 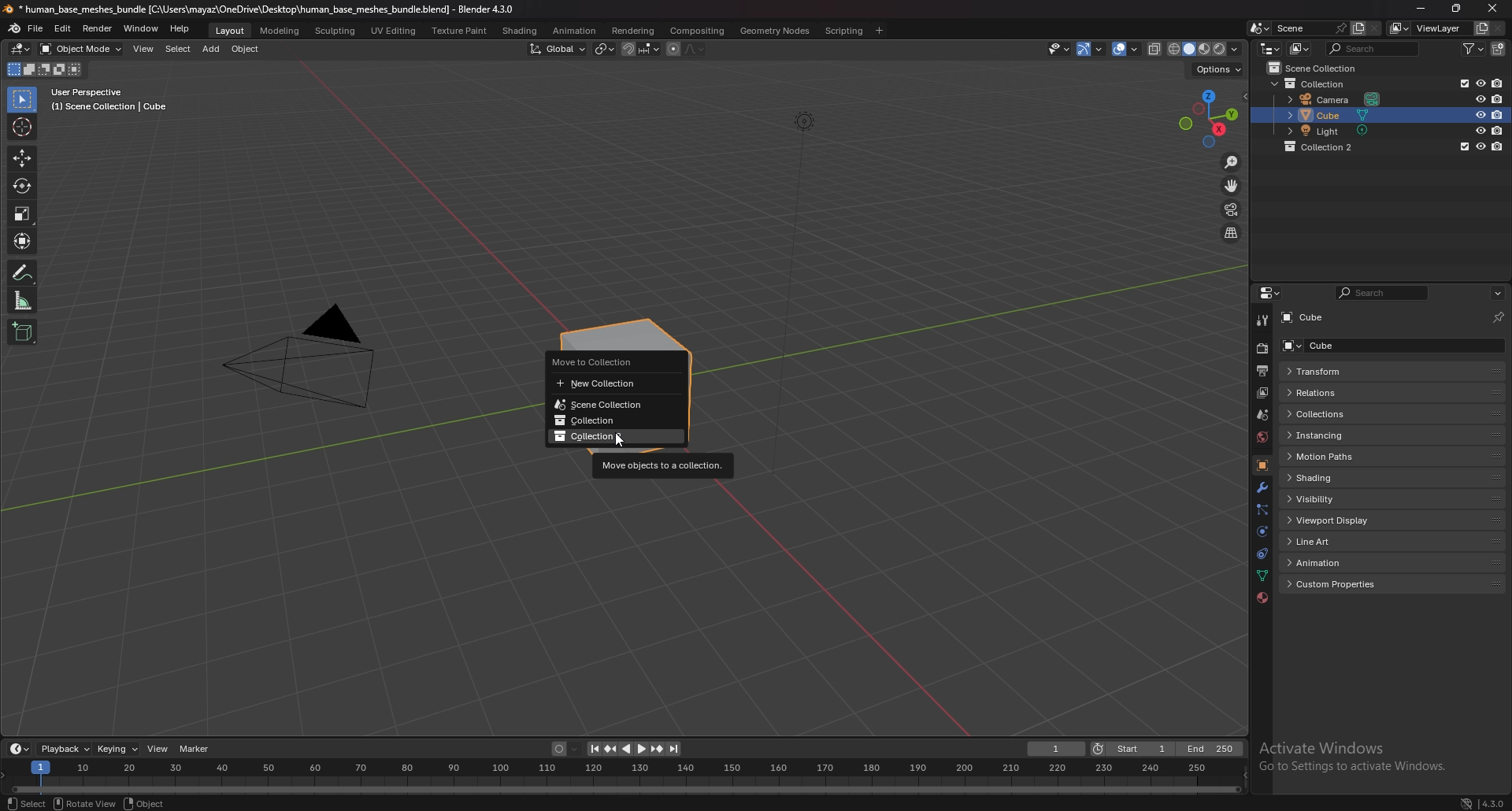 I want to click on hide in viewport, so click(x=1480, y=114).